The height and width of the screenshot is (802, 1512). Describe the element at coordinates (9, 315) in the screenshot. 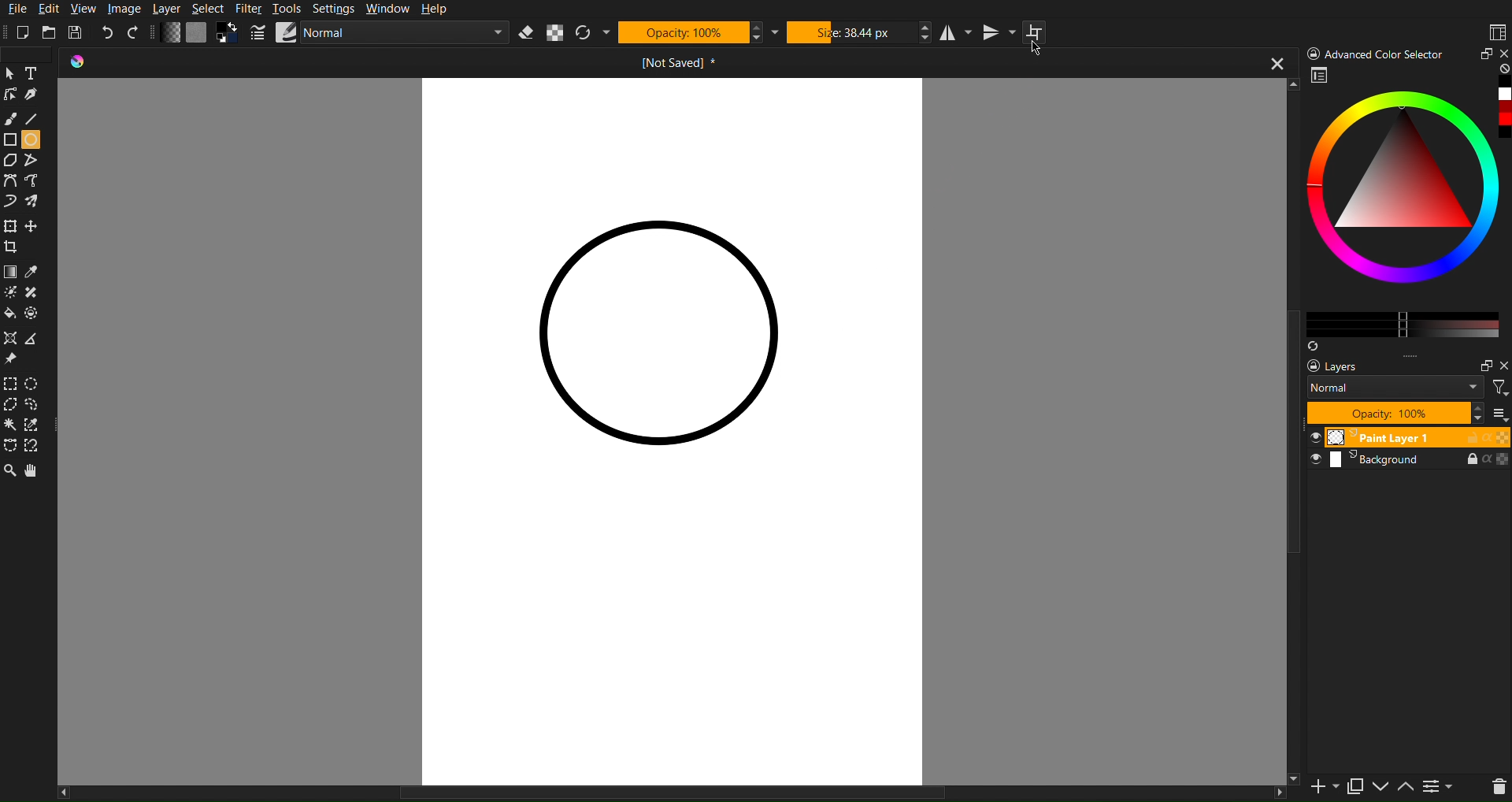

I see `Color fill` at that location.